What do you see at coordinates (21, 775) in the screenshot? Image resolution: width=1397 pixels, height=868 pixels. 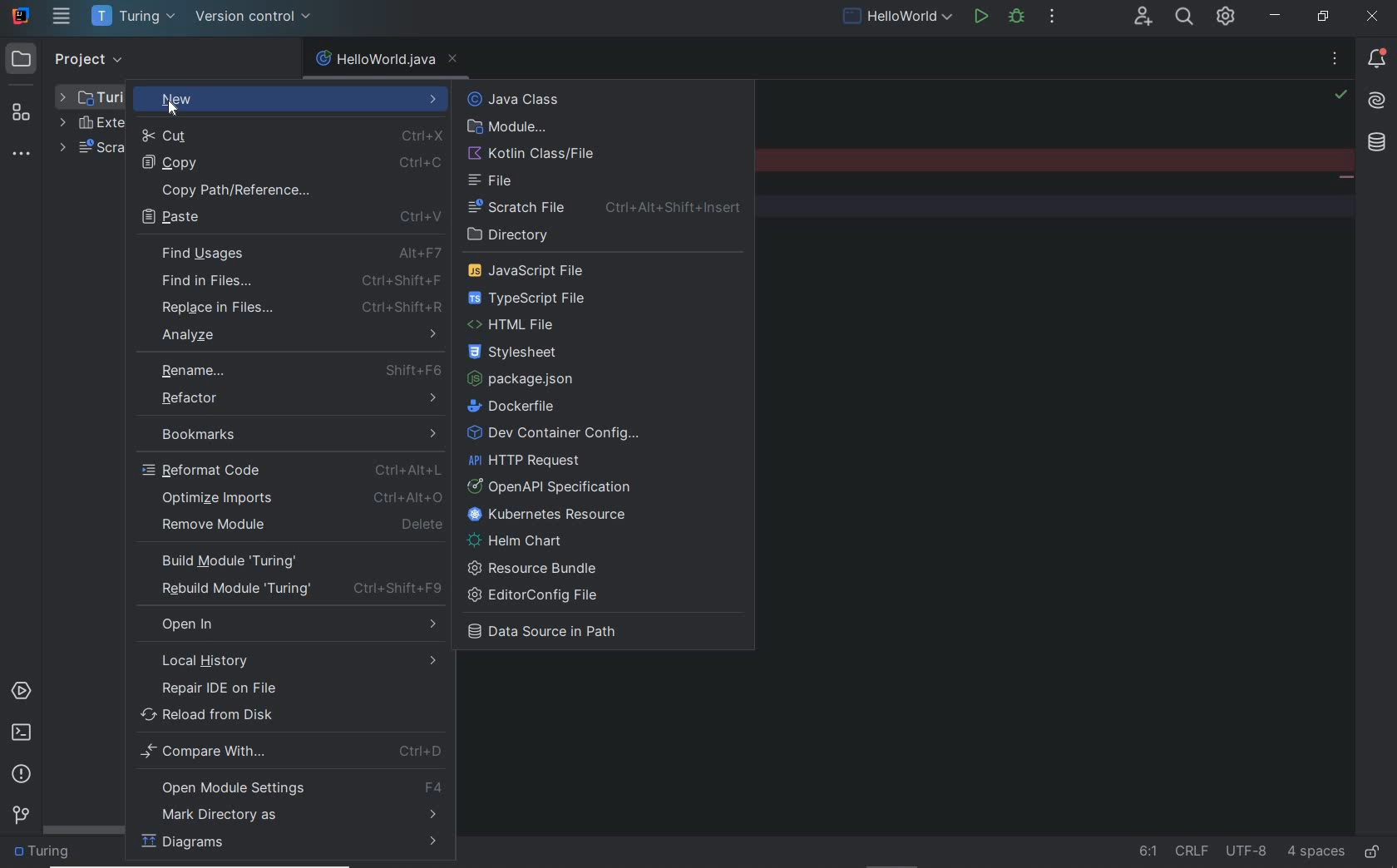 I see `problems` at bounding box center [21, 775].